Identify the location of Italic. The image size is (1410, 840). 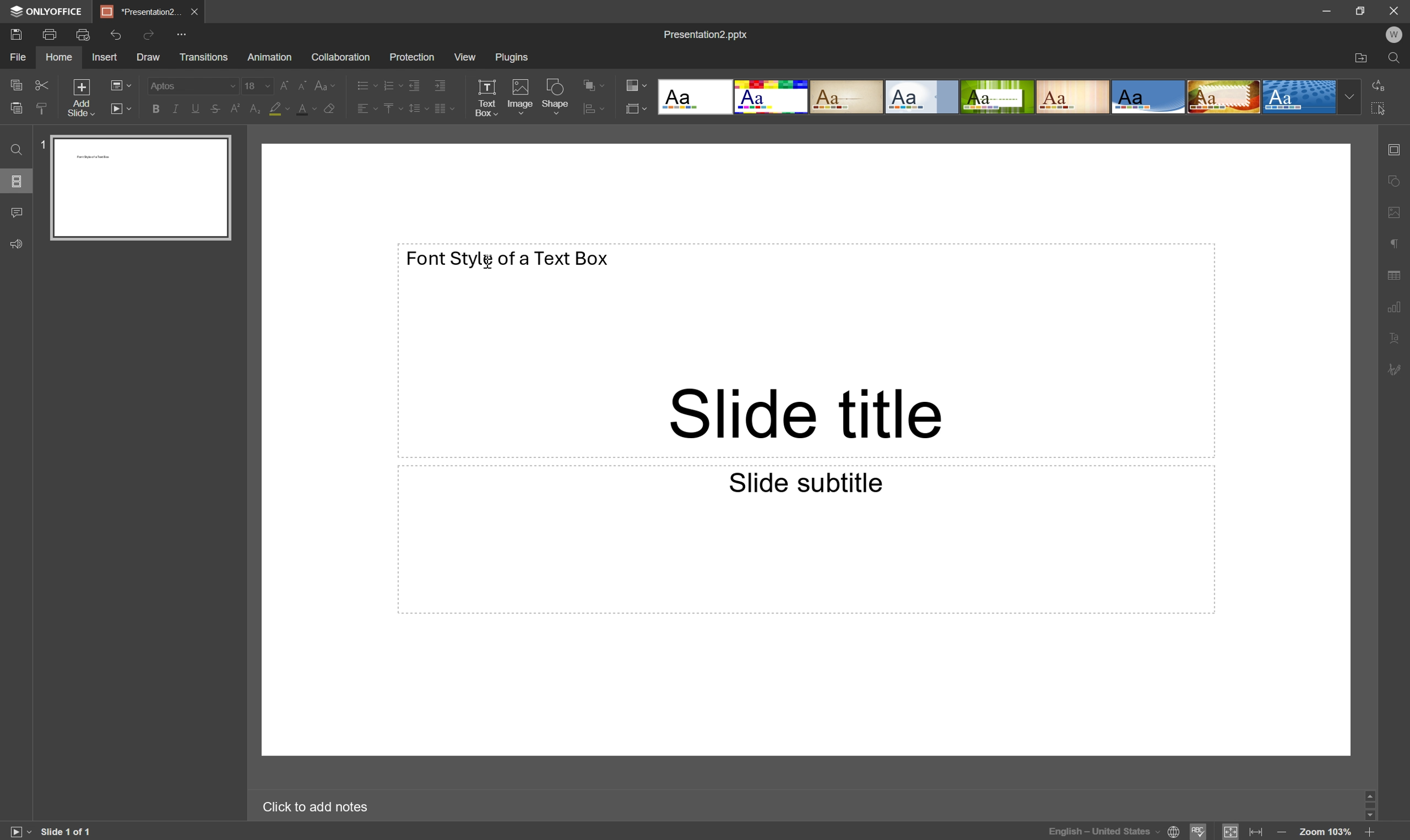
(176, 109).